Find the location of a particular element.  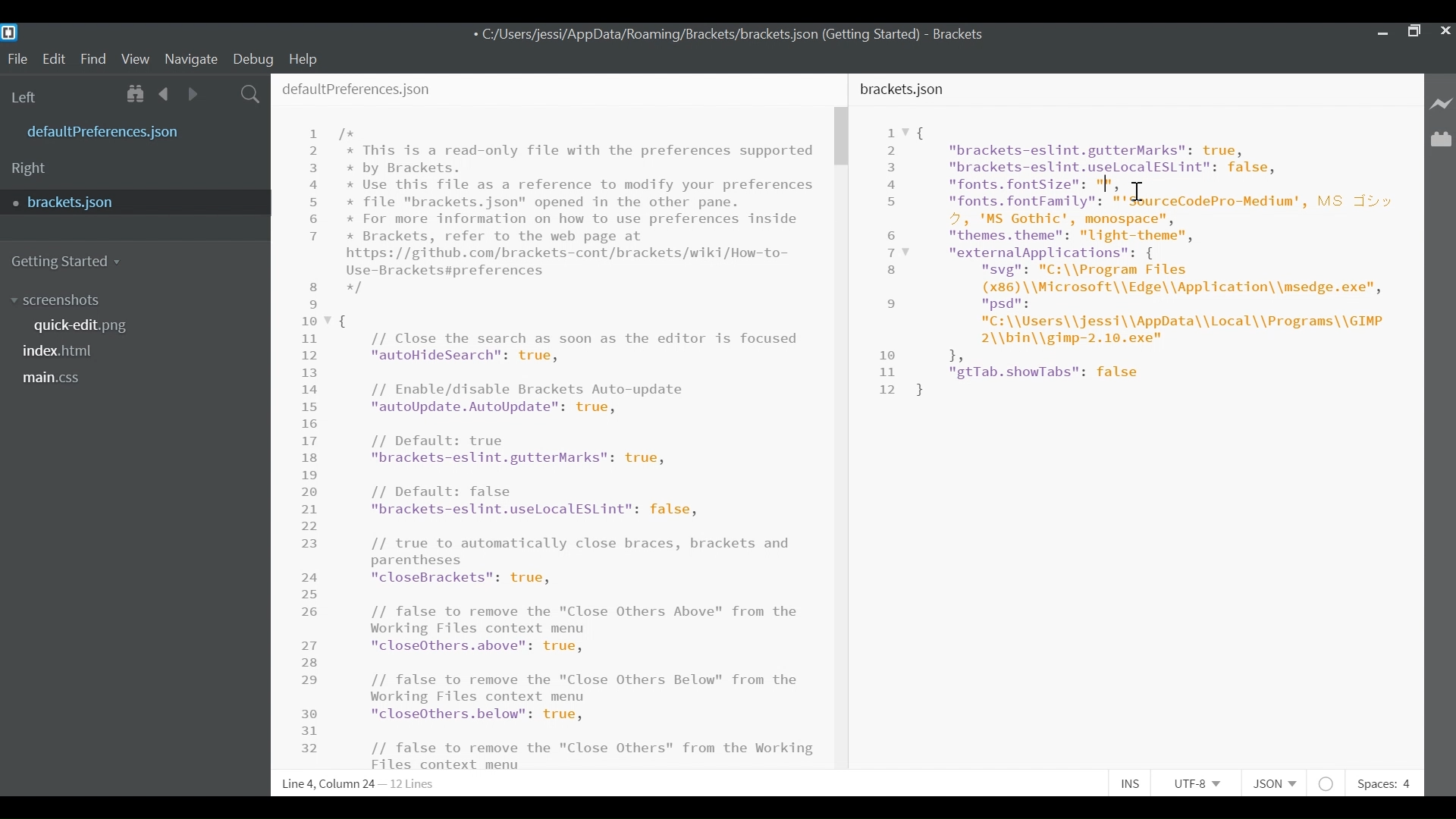

Live Preview is located at coordinates (1442, 105).